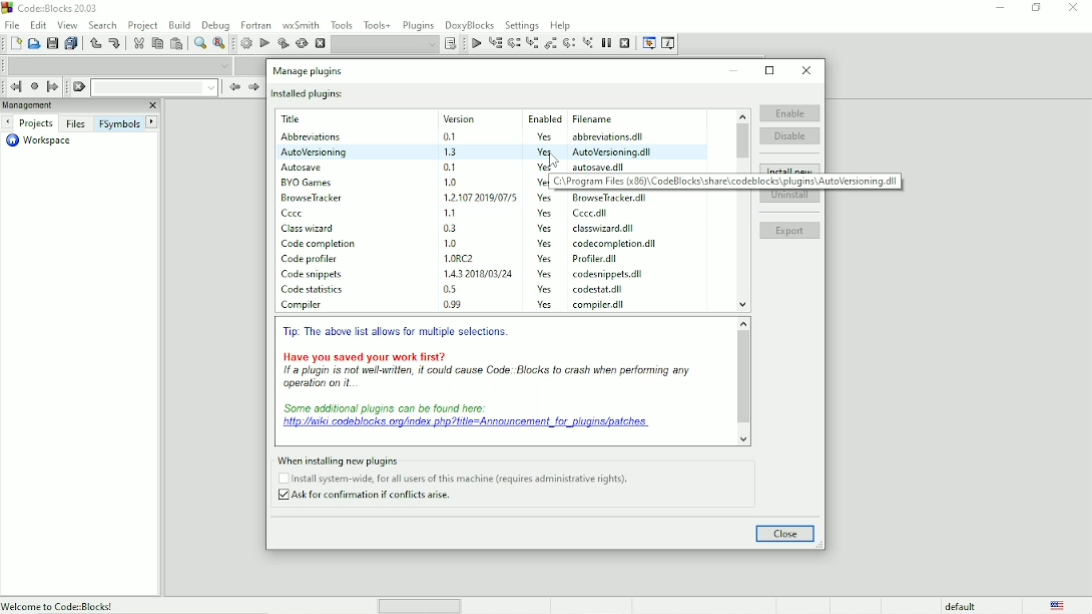 The image size is (1092, 614). Describe the element at coordinates (296, 214) in the screenshot. I see `Cccc` at that location.